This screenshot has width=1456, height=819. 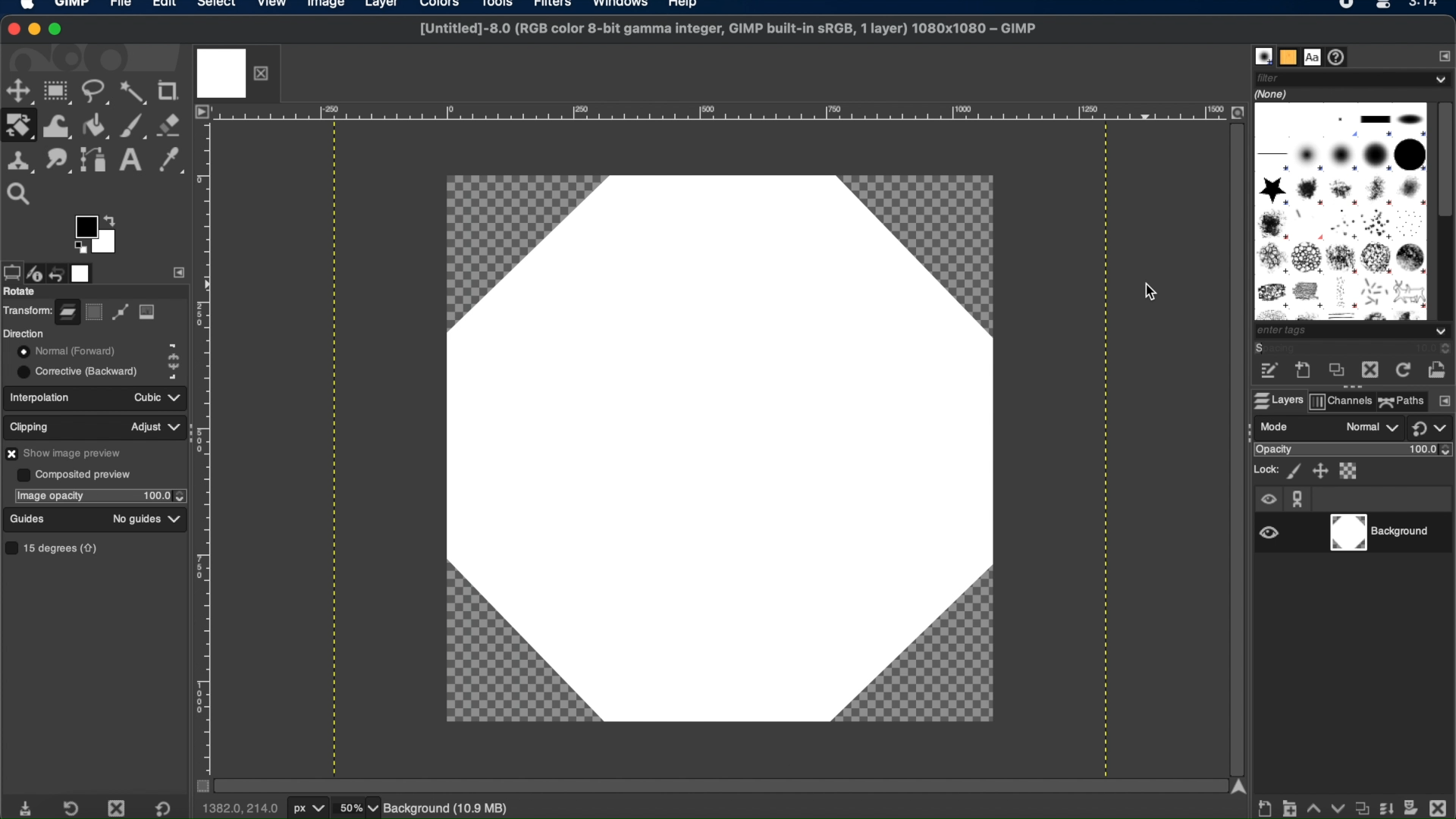 What do you see at coordinates (725, 33) in the screenshot?
I see `[Untitled]-8.0 (RGB color 8-bit gamma integer, GIMP built-in sRGB, 1 layer) 1080x1080 - GIMP` at bounding box center [725, 33].